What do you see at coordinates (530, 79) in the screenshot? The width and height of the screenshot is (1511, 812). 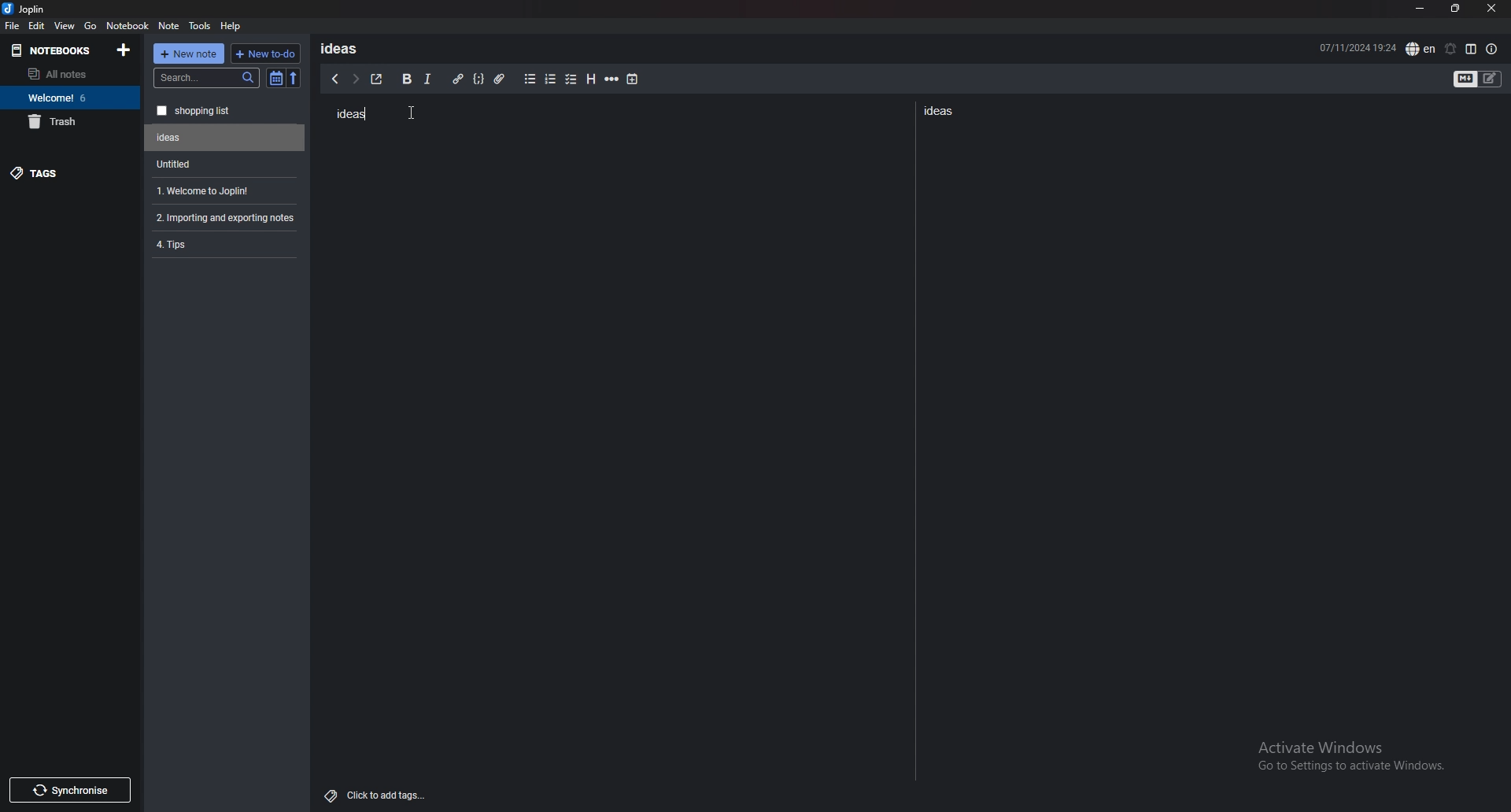 I see `bullet list` at bounding box center [530, 79].